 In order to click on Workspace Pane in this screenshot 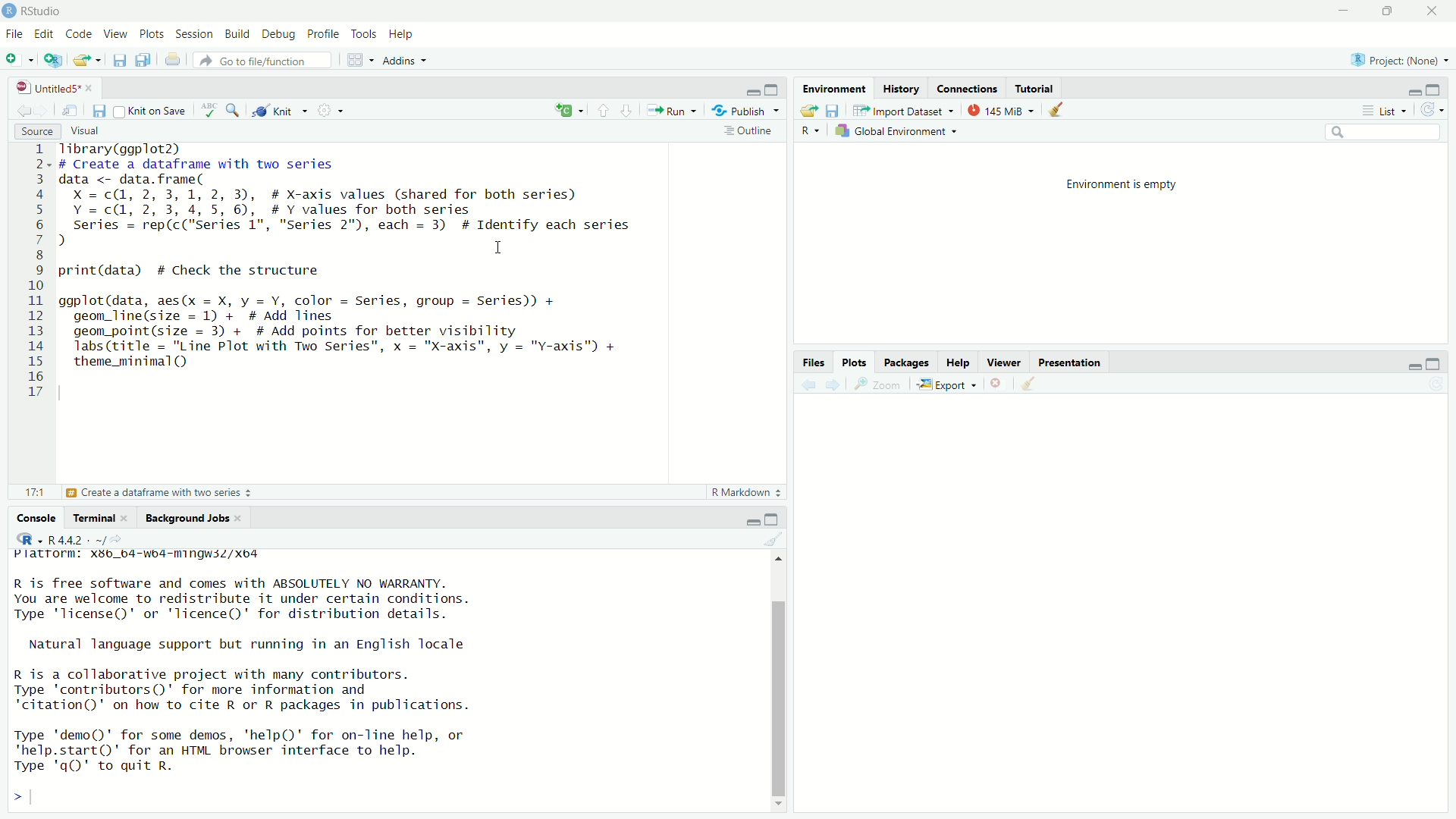, I will do `click(359, 61)`.